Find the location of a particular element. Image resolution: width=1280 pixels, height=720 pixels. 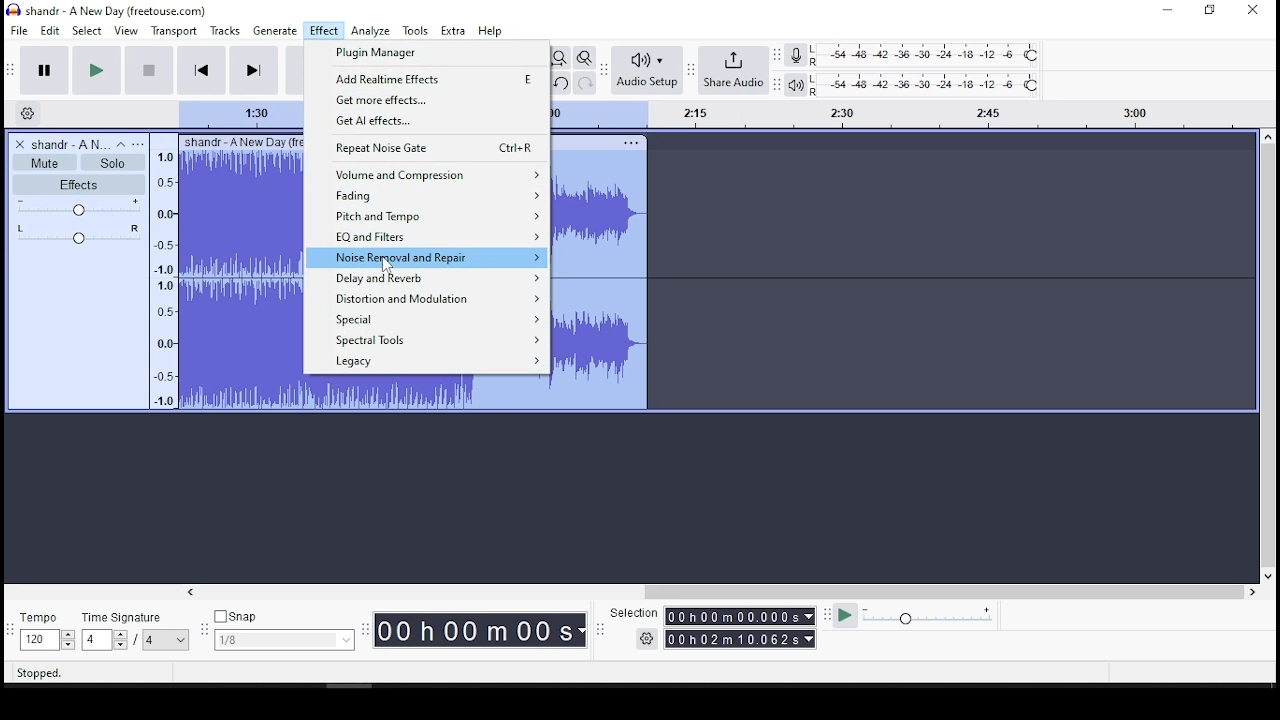

collapse is located at coordinates (121, 144).